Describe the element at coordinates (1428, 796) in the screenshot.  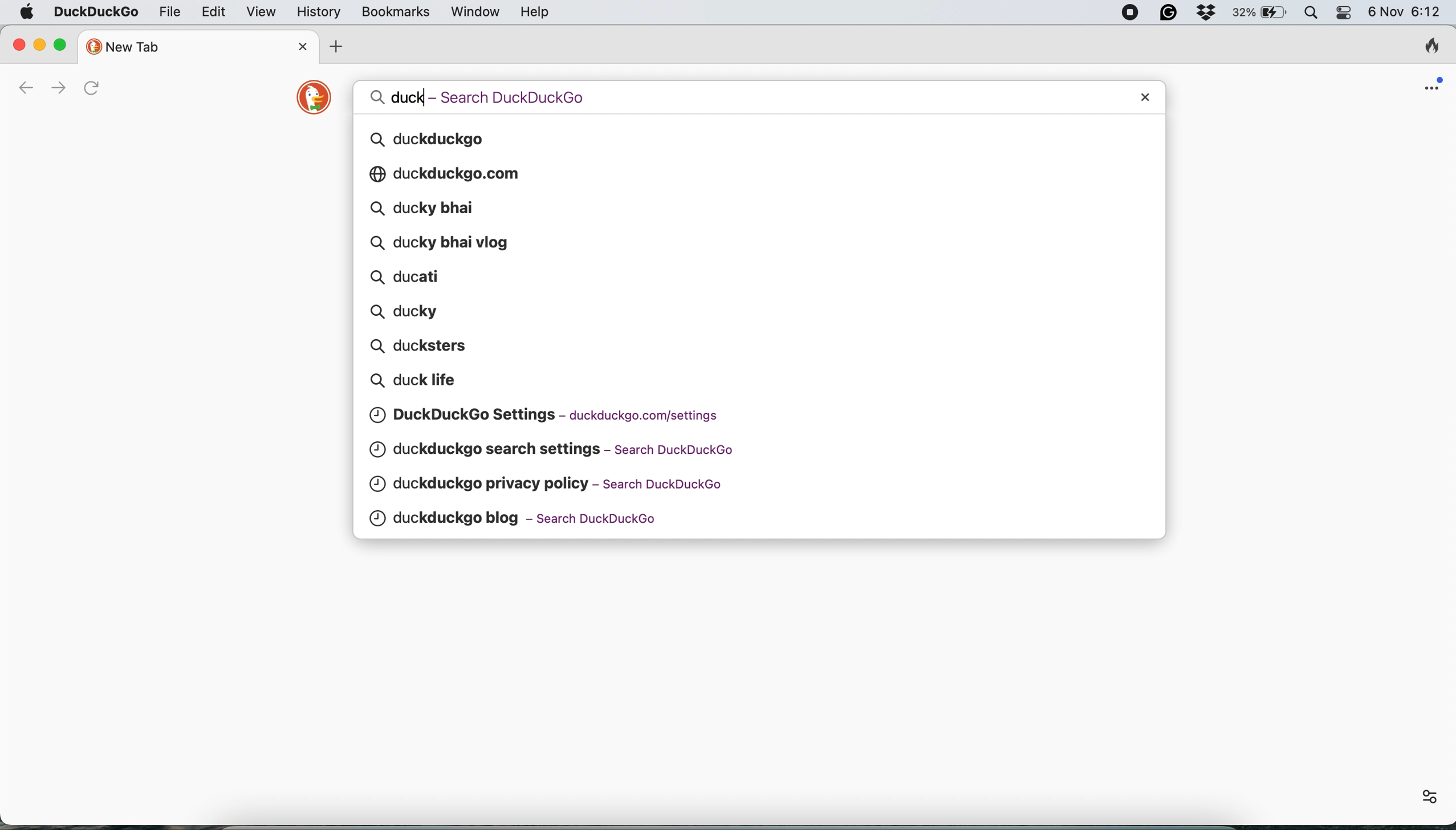
I see `settings` at that location.